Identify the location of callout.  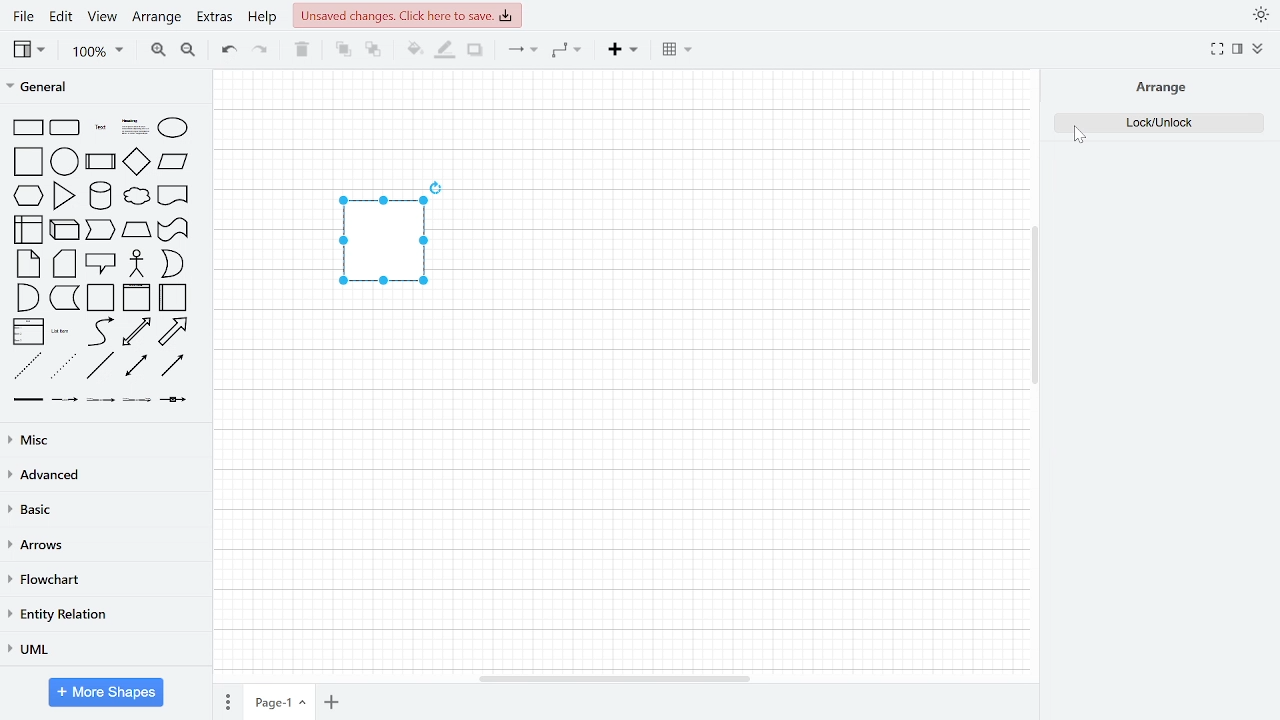
(101, 262).